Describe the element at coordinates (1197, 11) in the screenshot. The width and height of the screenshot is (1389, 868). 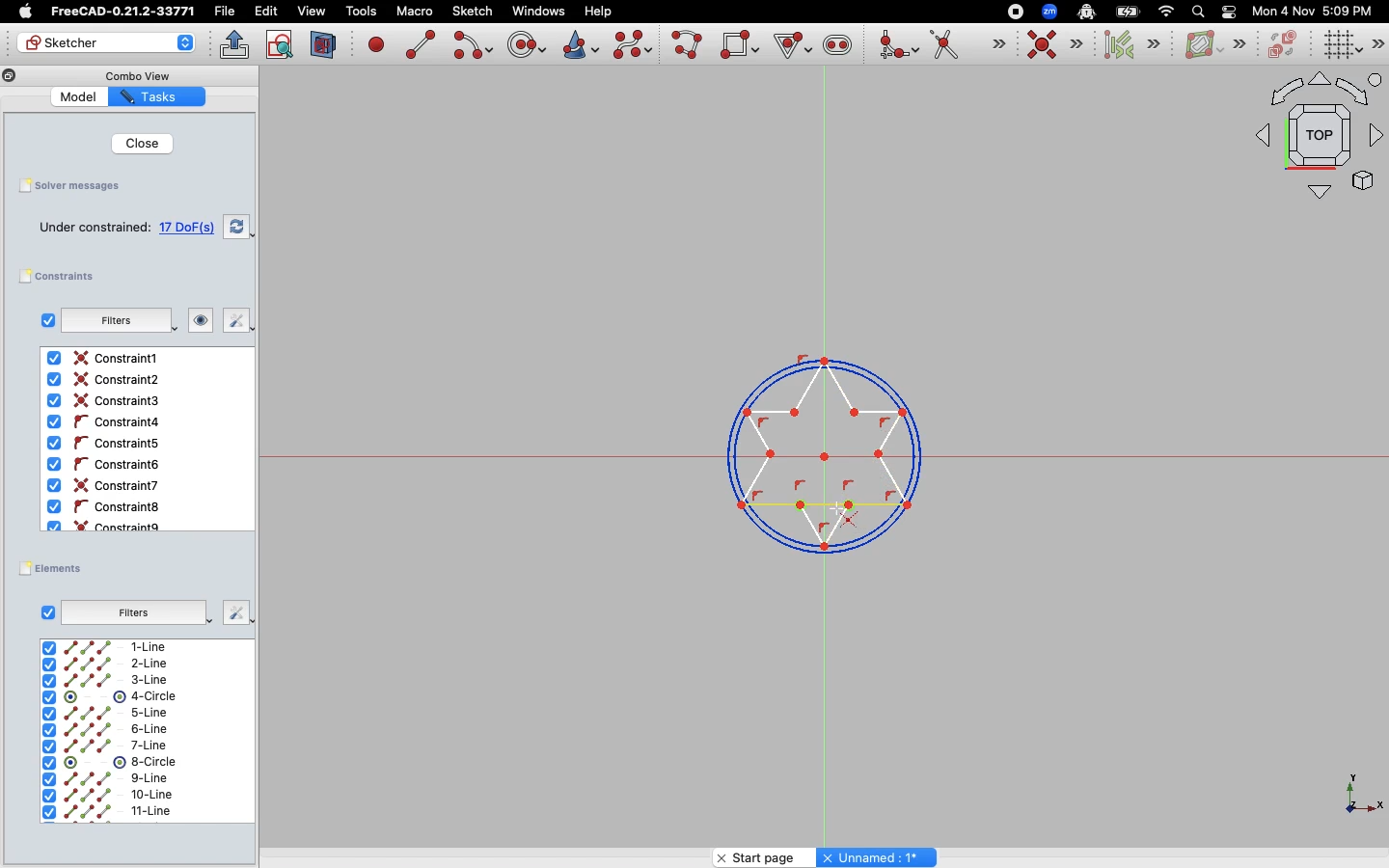
I see `Search` at that location.